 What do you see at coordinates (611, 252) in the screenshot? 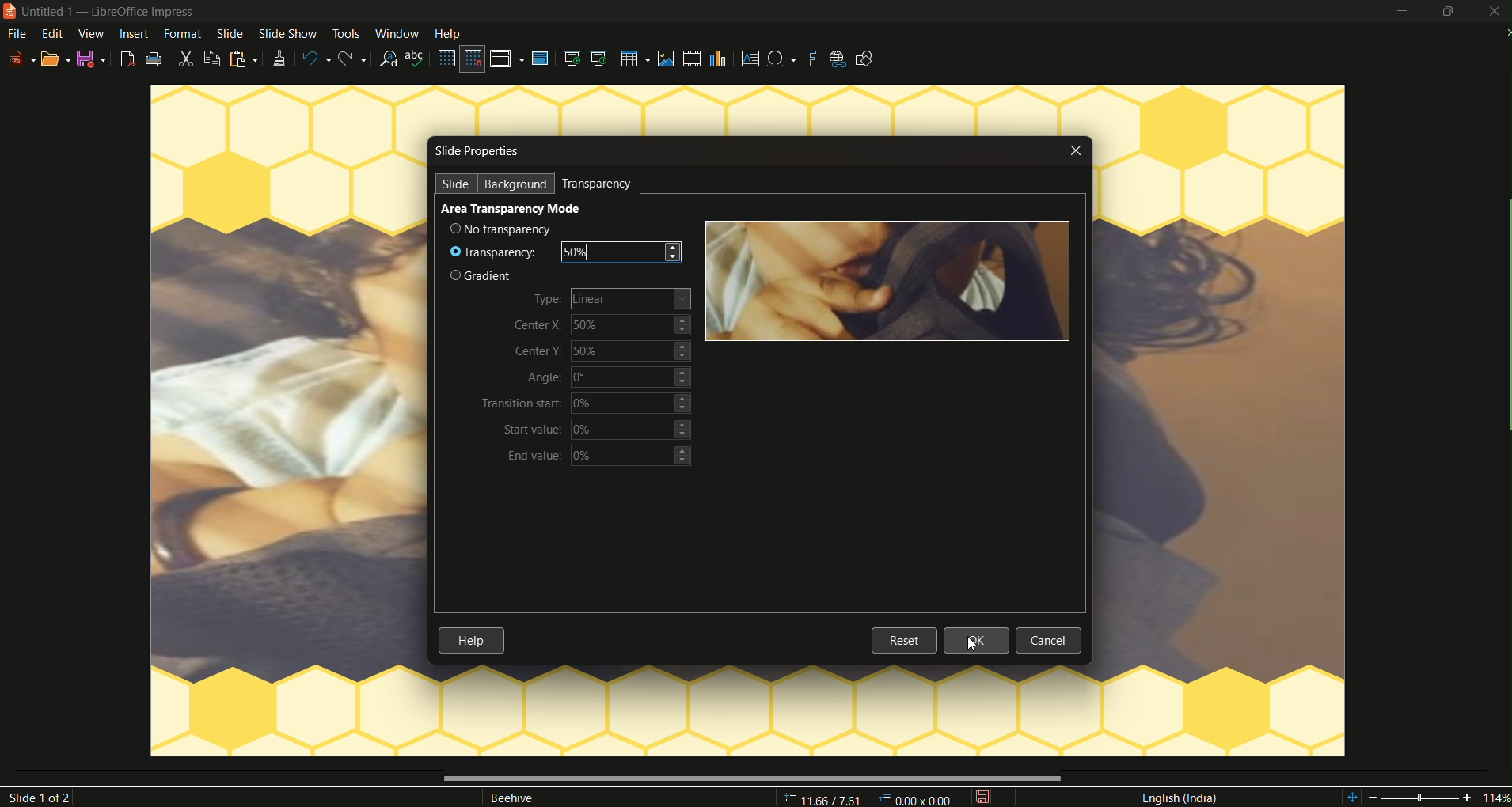
I see `50%` at bounding box center [611, 252].